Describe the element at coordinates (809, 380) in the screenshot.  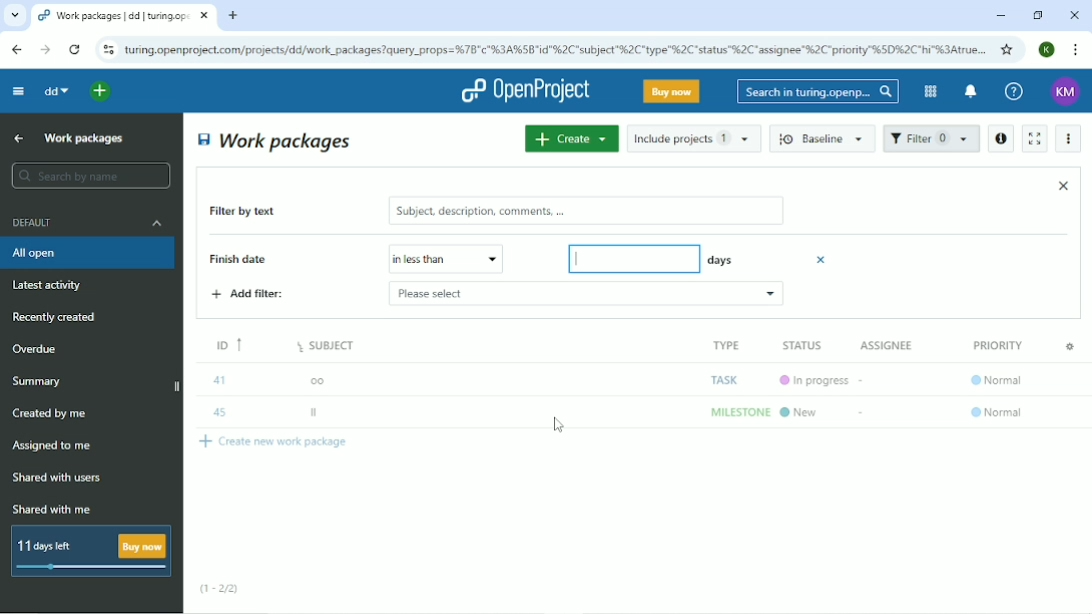
I see `In progress ` at that location.